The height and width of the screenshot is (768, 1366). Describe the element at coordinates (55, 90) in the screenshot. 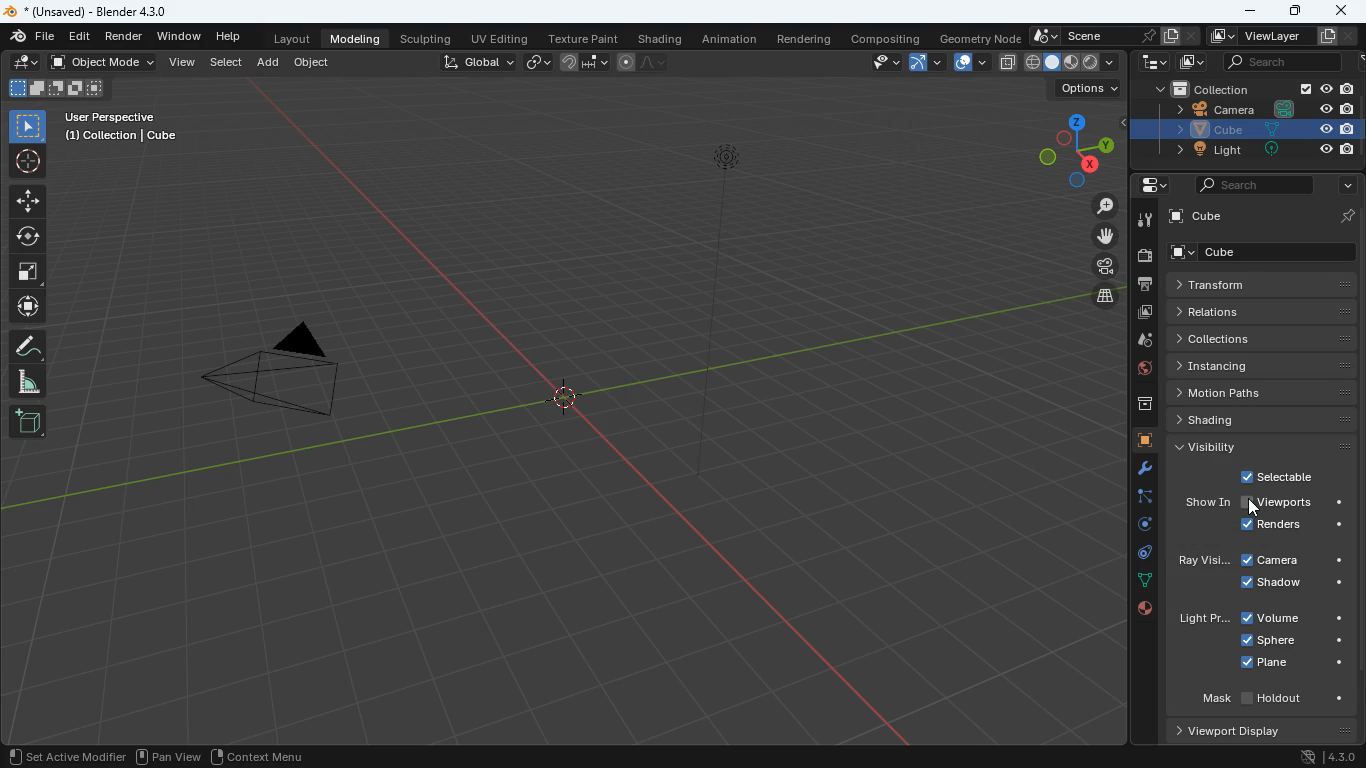

I see `image position` at that location.